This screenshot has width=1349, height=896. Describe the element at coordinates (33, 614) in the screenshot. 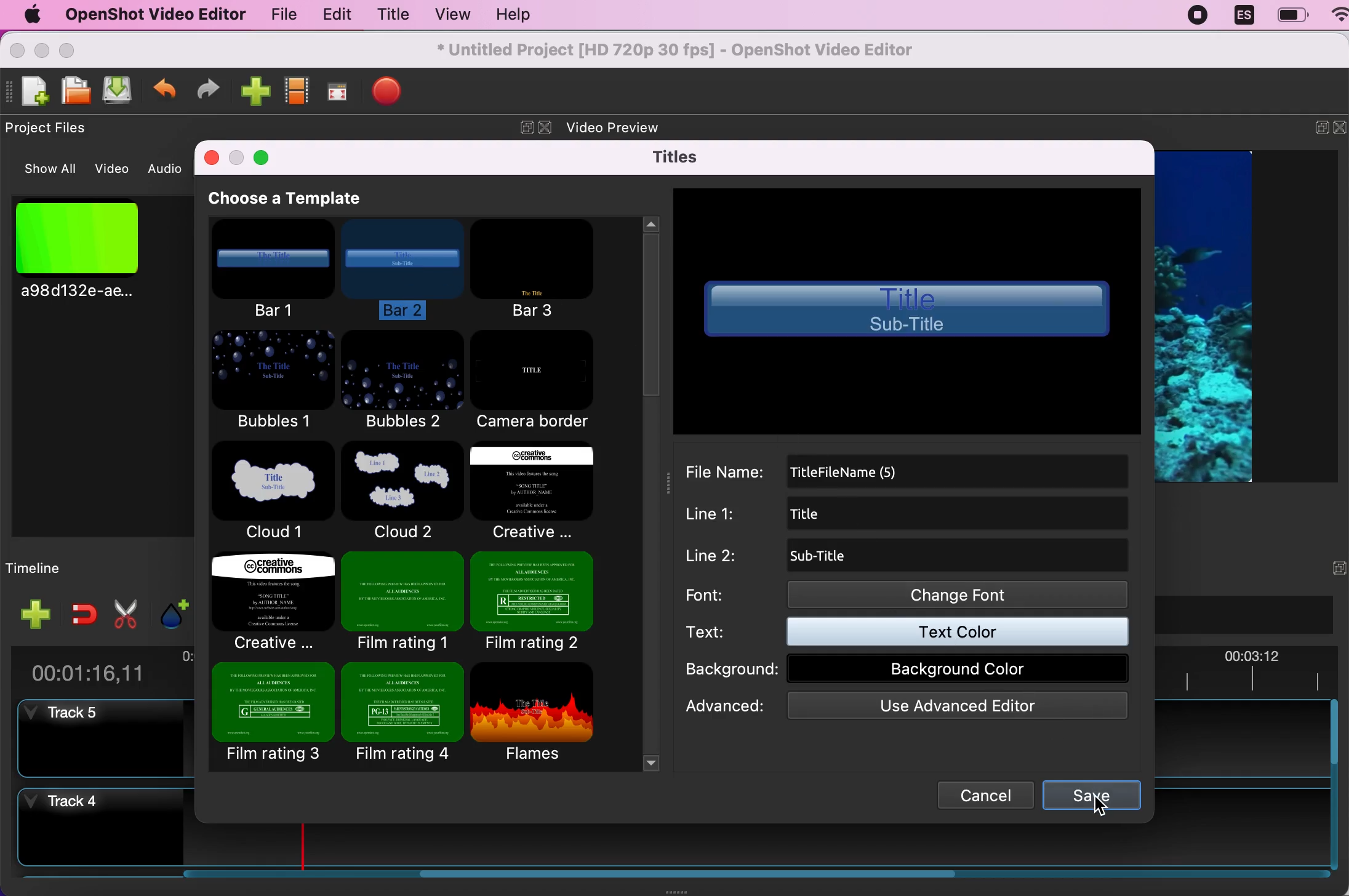

I see `add track` at that location.